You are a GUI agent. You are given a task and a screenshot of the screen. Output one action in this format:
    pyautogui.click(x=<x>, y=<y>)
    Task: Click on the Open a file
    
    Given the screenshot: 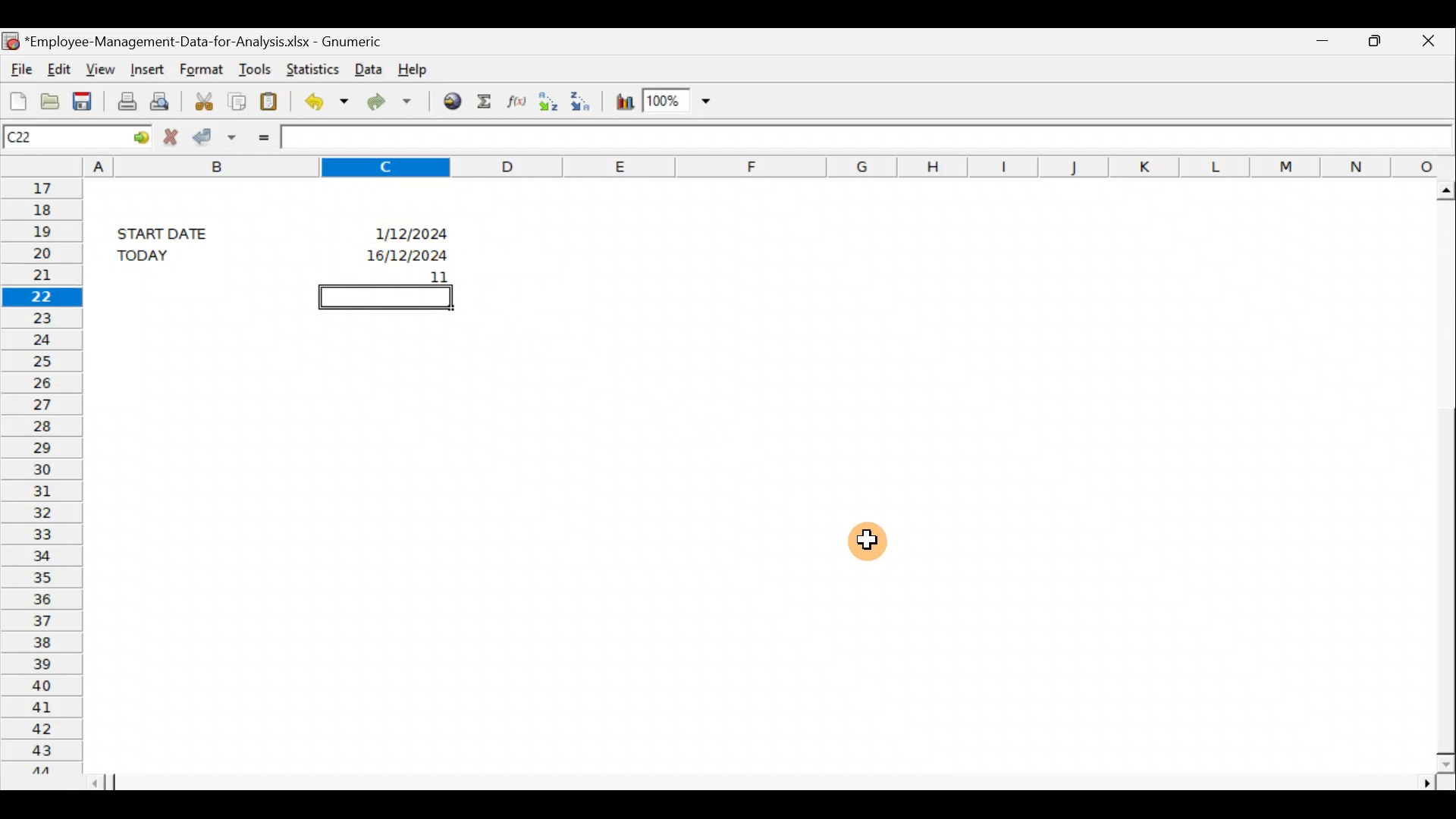 What is the action you would take?
    pyautogui.click(x=49, y=99)
    